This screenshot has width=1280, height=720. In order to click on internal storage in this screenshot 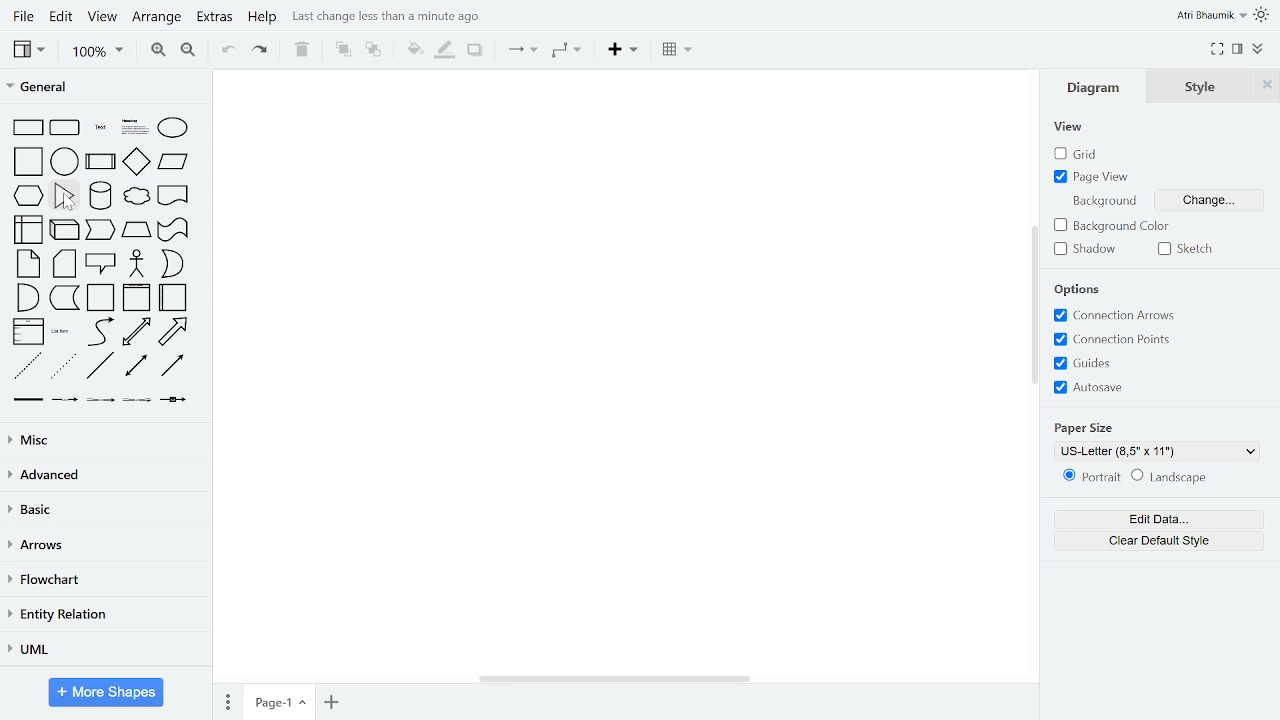, I will do `click(25, 229)`.